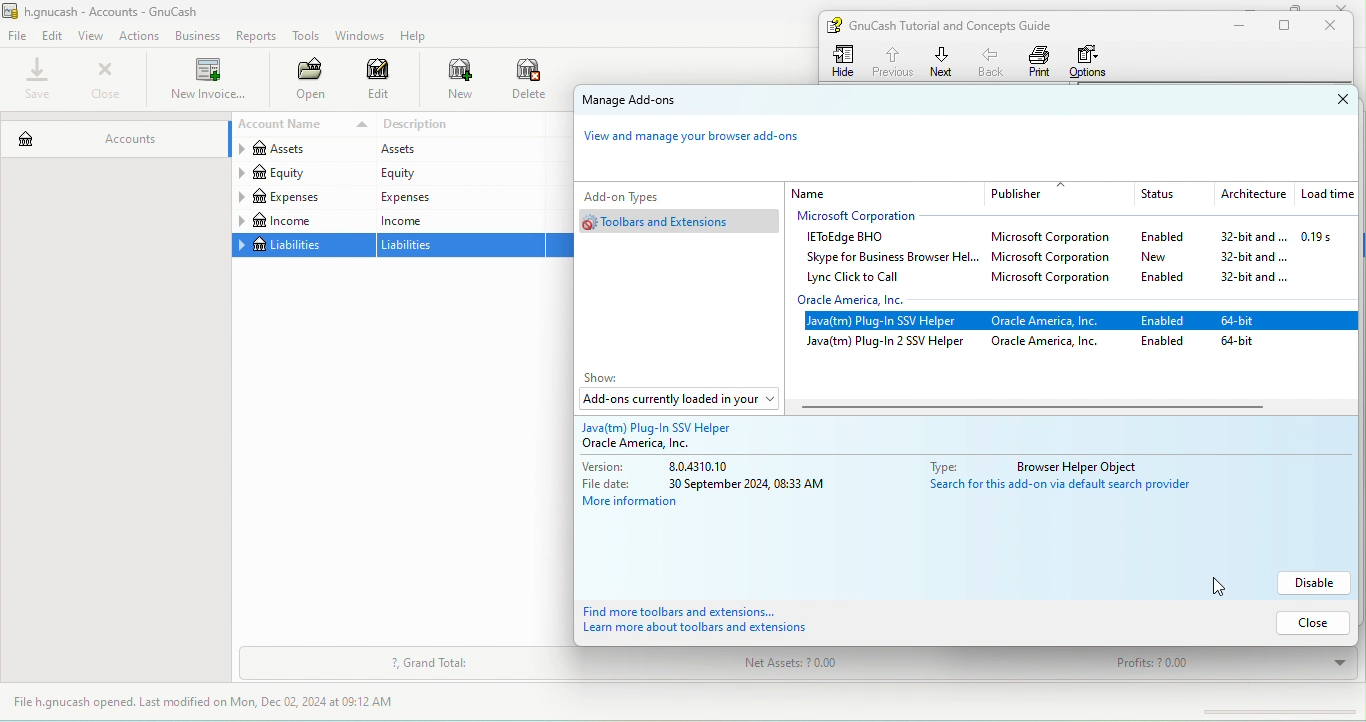 Image resolution: width=1366 pixels, height=722 pixels. I want to click on java (tm) plug ln ssv helper, so click(887, 322).